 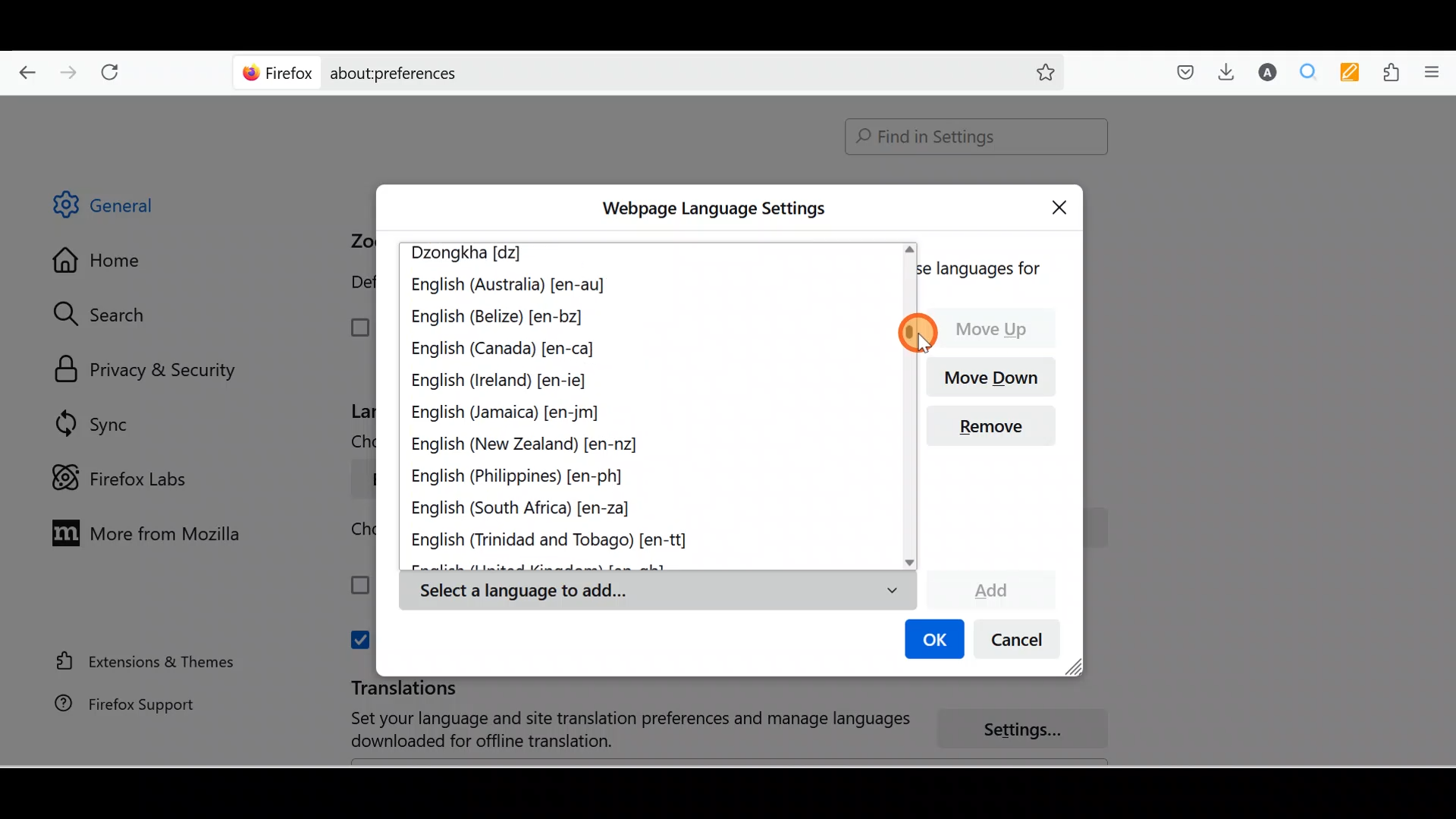 What do you see at coordinates (510, 287) in the screenshot?
I see `English (Australia) [en-au]` at bounding box center [510, 287].